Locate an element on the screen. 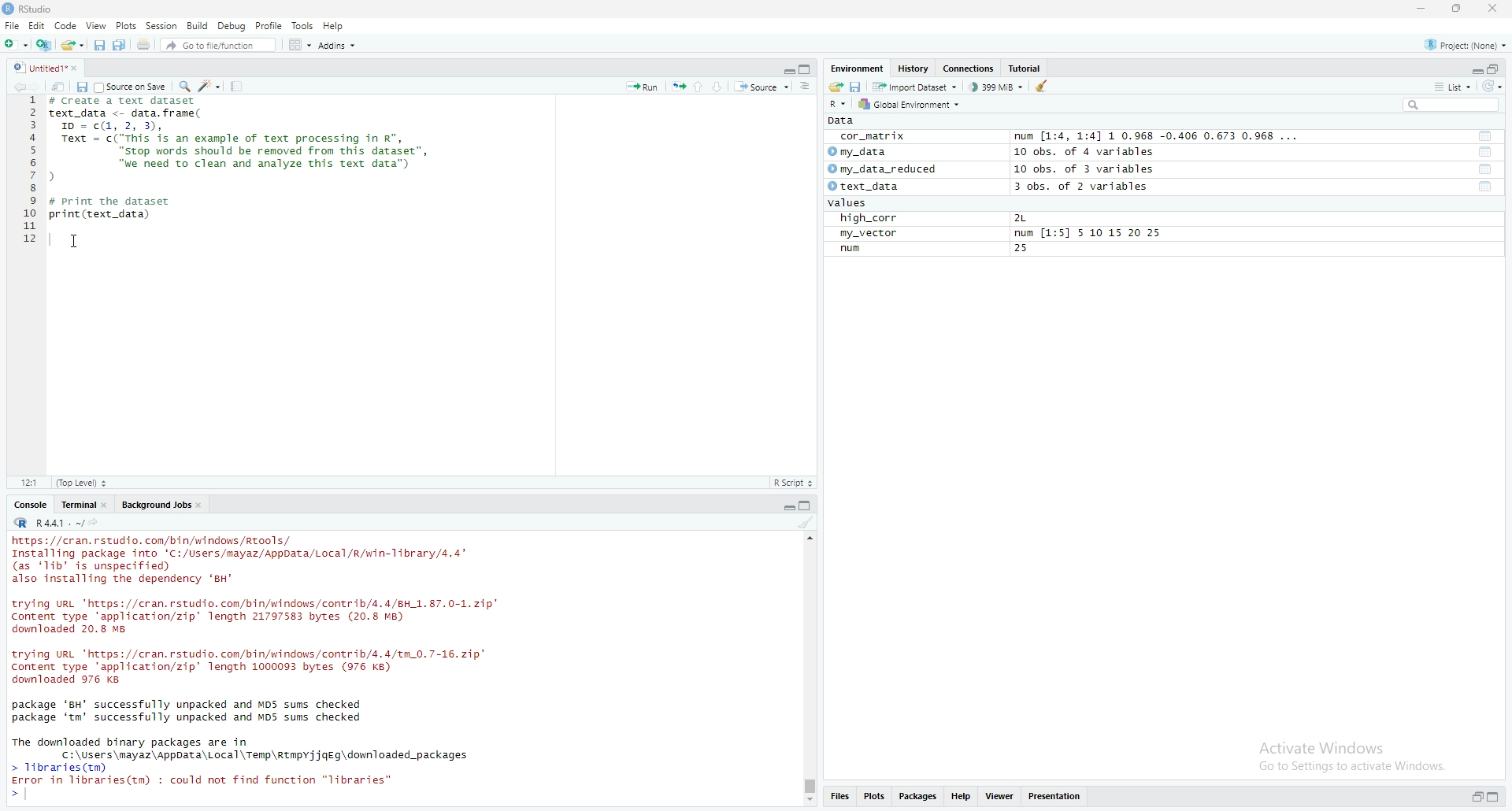 This screenshot has width=1512, height=811. history is located at coordinates (914, 69).